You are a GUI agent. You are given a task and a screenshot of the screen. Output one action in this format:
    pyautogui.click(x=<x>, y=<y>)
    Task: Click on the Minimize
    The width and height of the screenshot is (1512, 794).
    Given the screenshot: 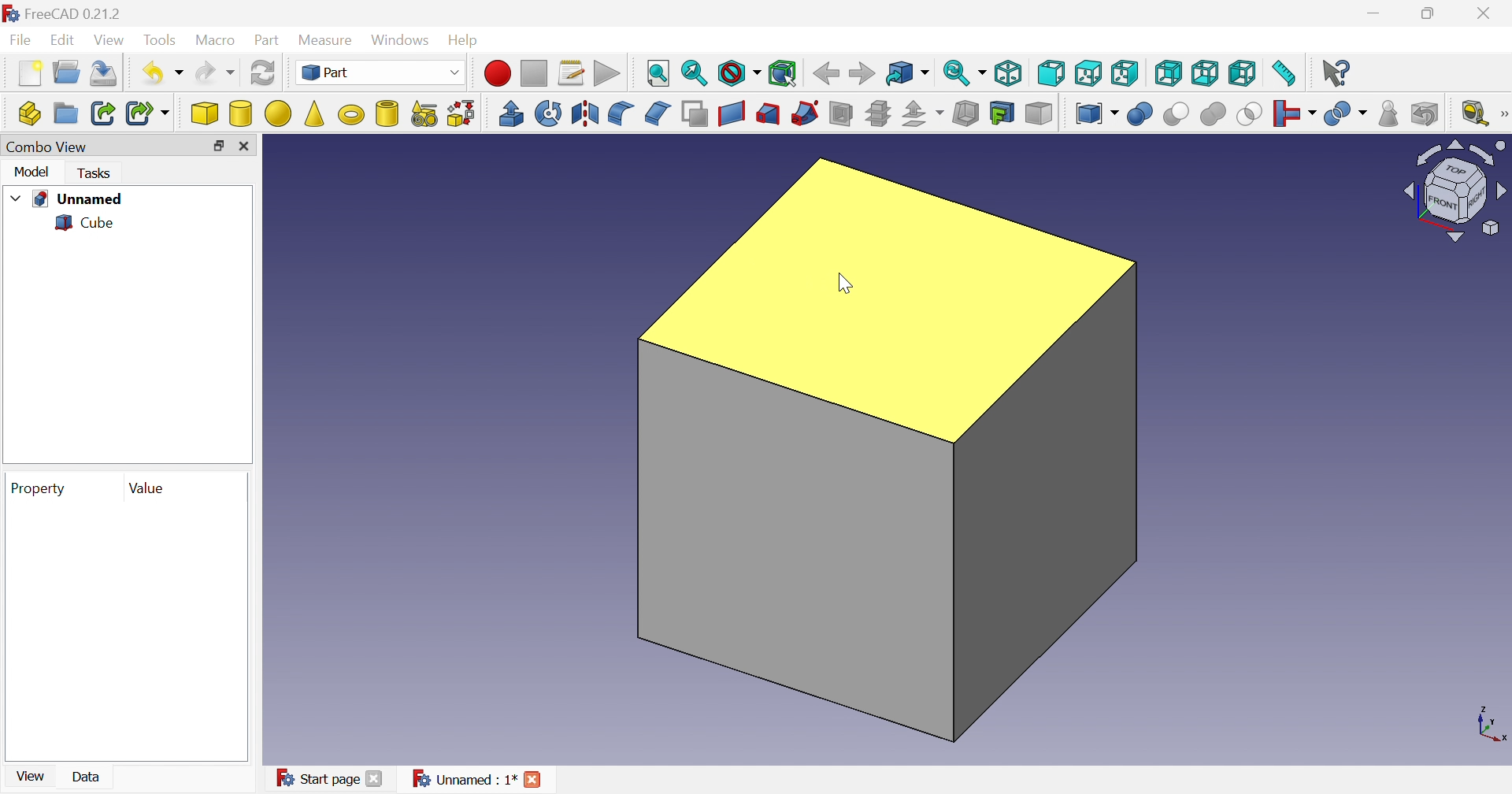 What is the action you would take?
    pyautogui.click(x=1373, y=13)
    